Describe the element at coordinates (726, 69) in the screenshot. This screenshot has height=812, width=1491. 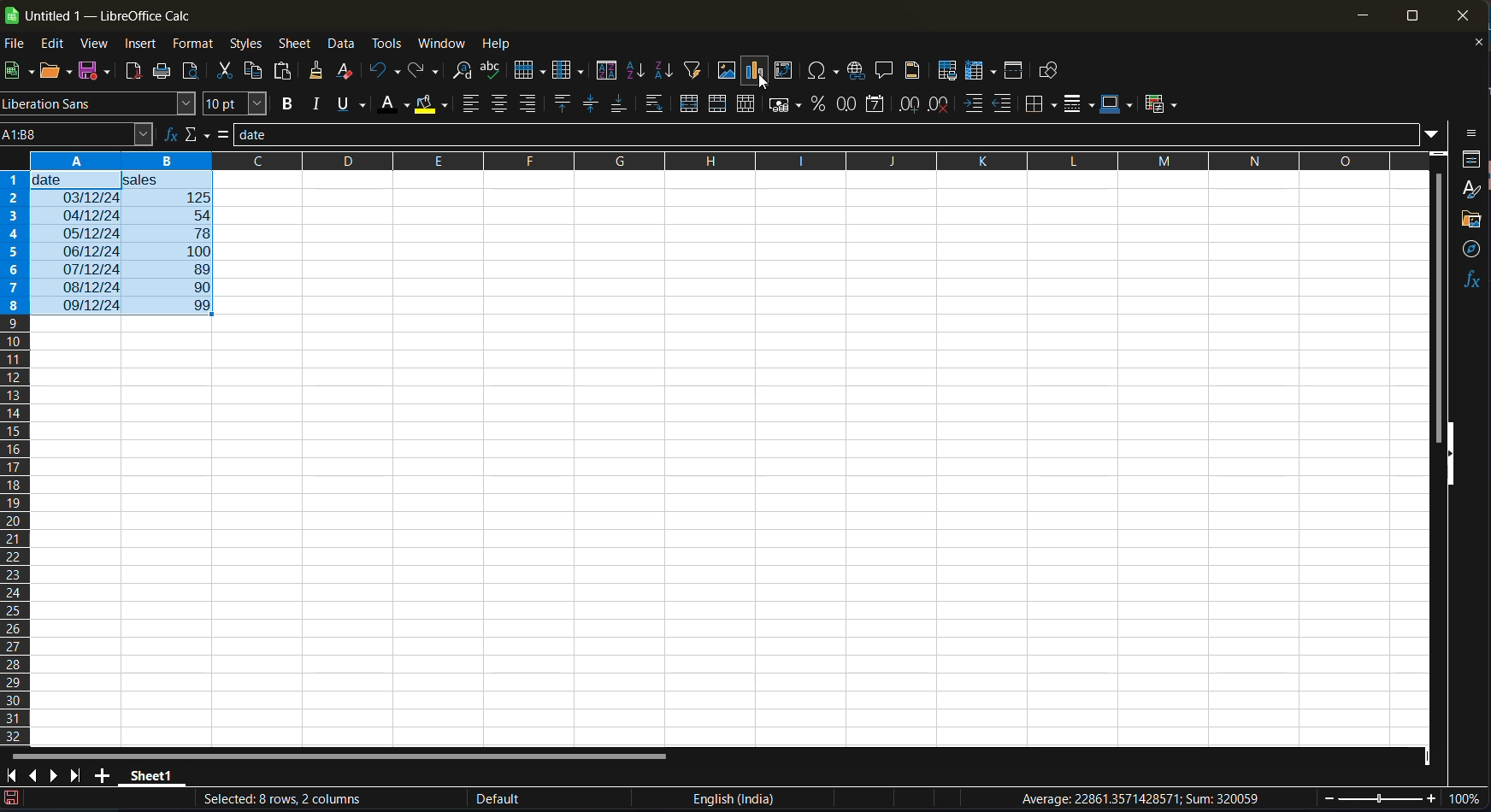
I see `insert image` at that location.